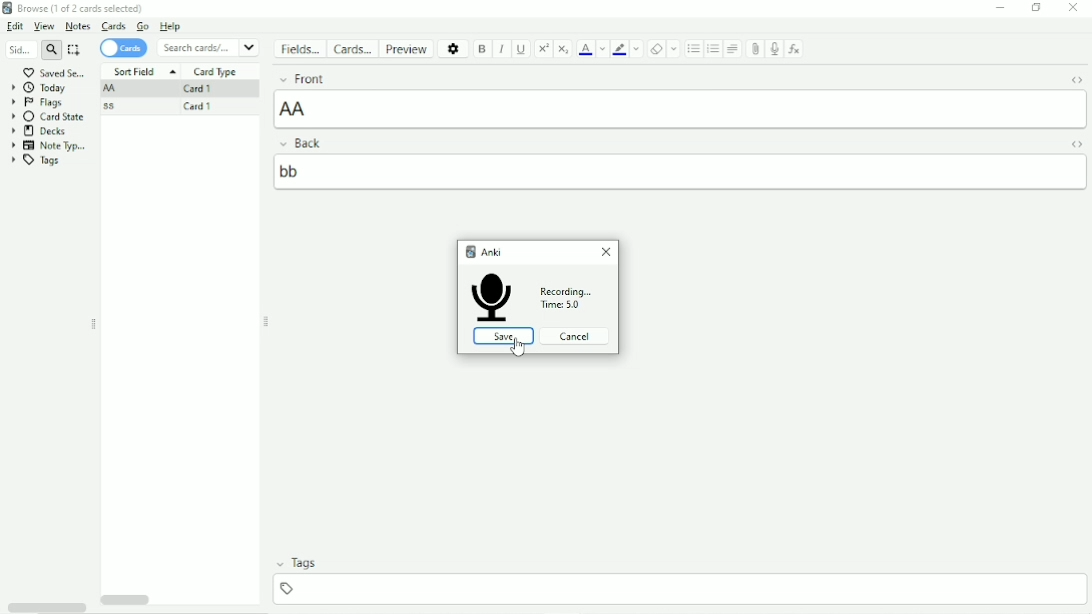 The height and width of the screenshot is (614, 1092). I want to click on Close, so click(1074, 7).